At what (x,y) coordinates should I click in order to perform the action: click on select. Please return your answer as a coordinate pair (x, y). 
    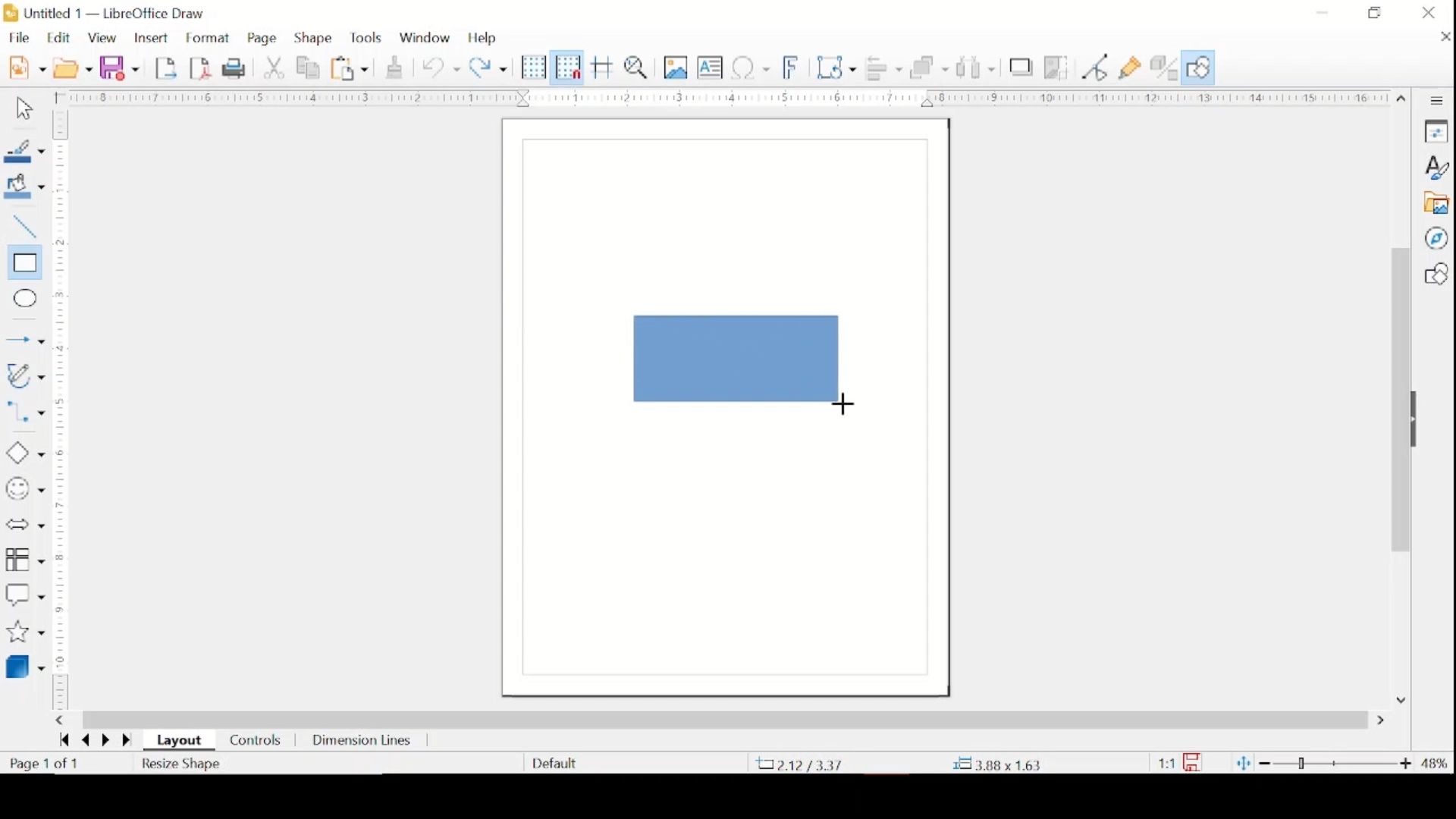
    Looking at the image, I should click on (22, 109).